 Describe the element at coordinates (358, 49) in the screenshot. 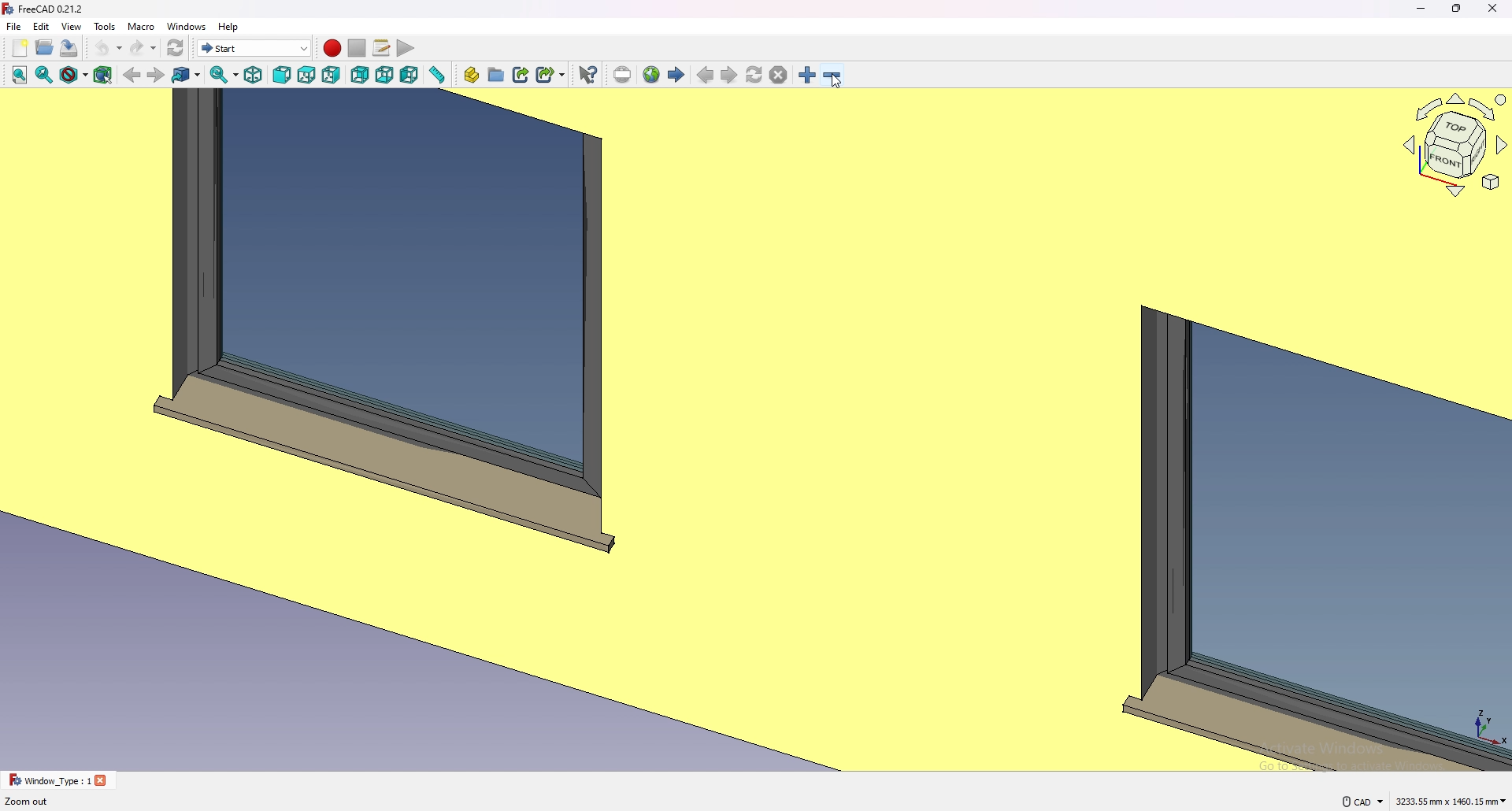

I see `stop macro recording` at that location.